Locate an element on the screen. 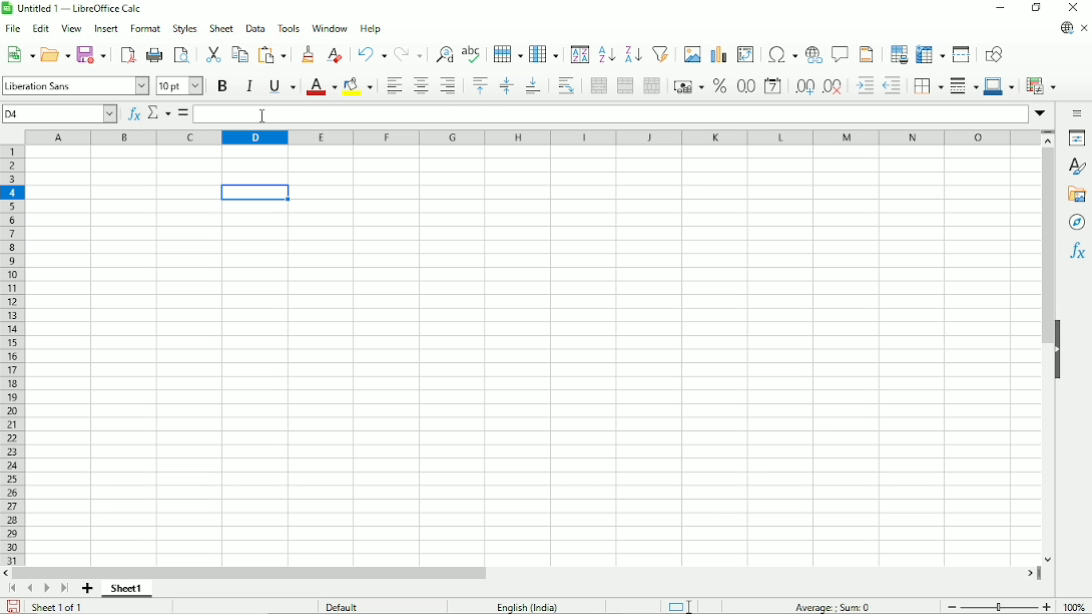 The image size is (1092, 614). Unmerge cells is located at coordinates (655, 85).